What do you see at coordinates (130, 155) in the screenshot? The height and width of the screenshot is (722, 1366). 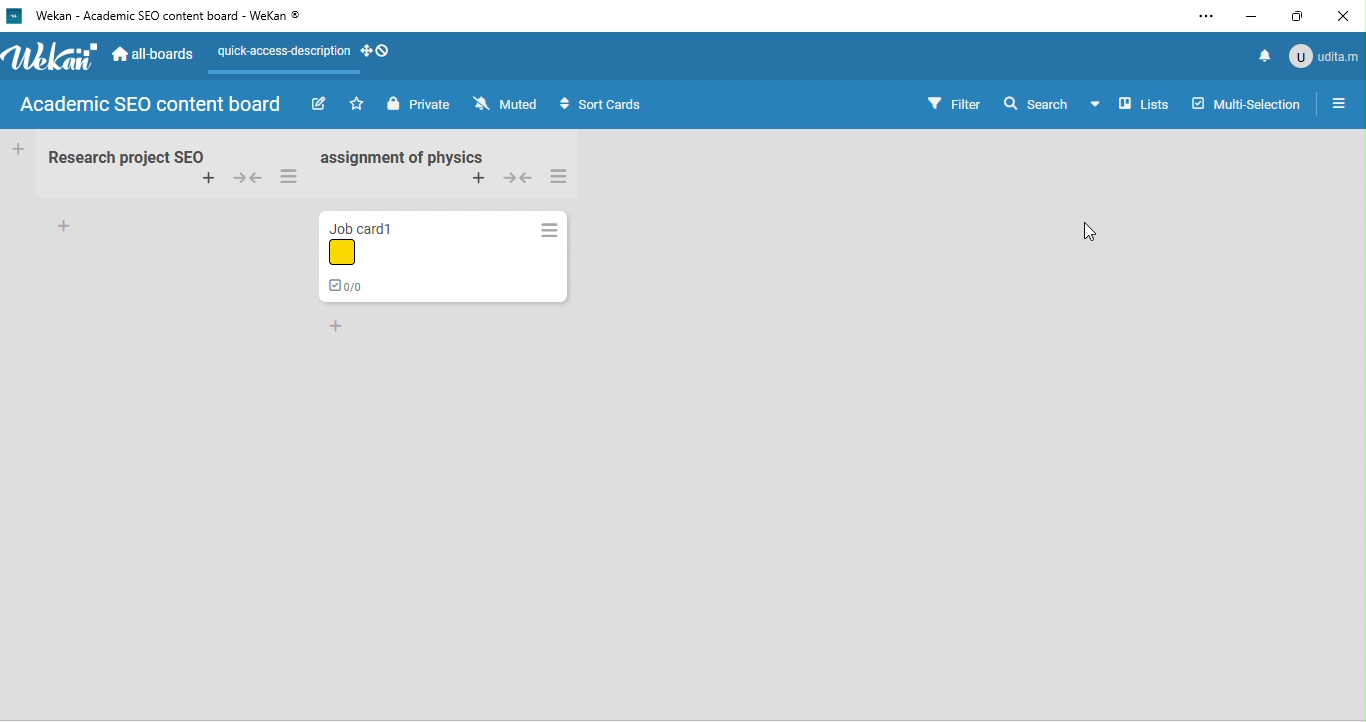 I see `research project seo` at bounding box center [130, 155].